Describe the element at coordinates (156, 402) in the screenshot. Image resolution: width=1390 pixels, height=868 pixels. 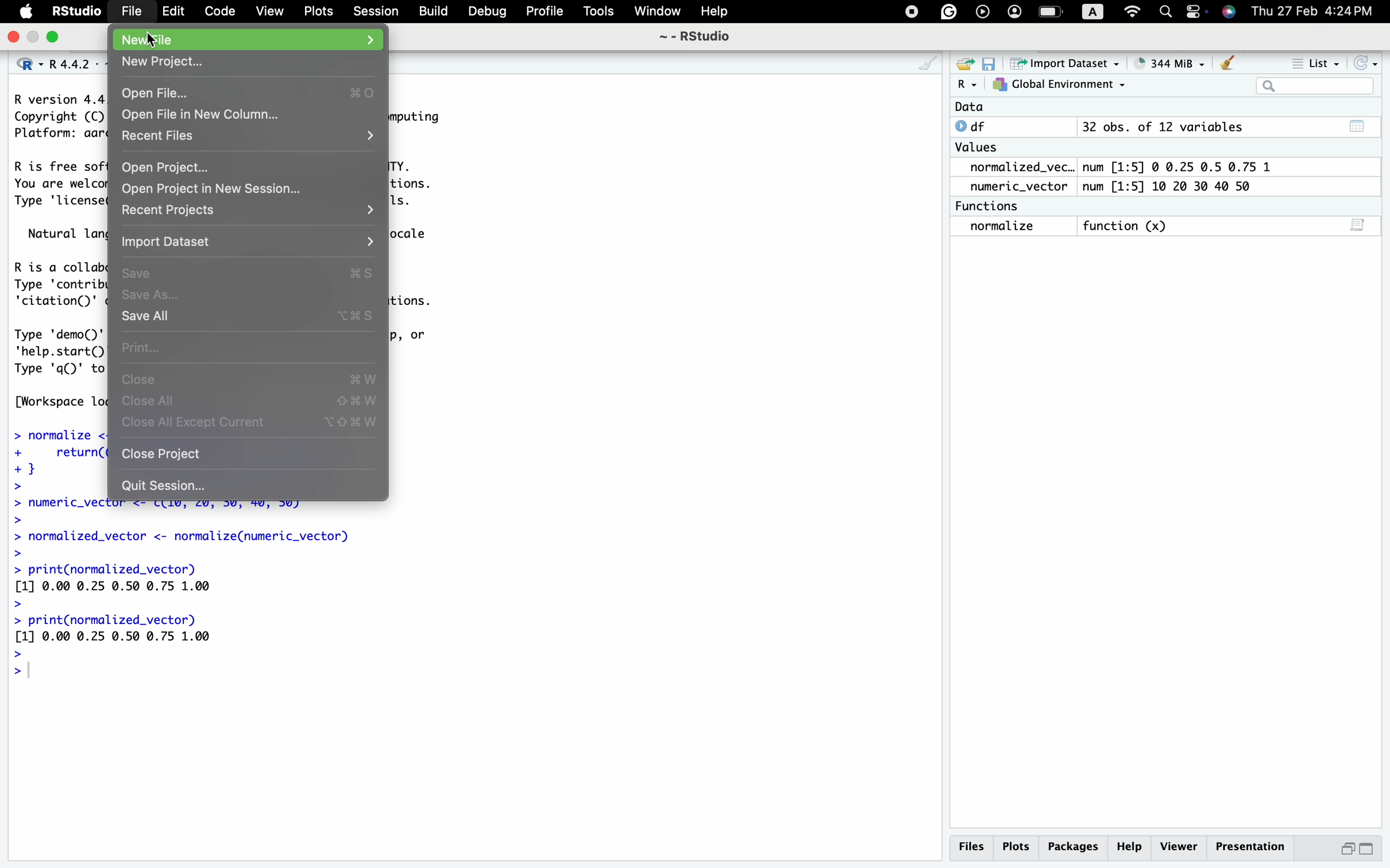
I see `Close All` at that location.